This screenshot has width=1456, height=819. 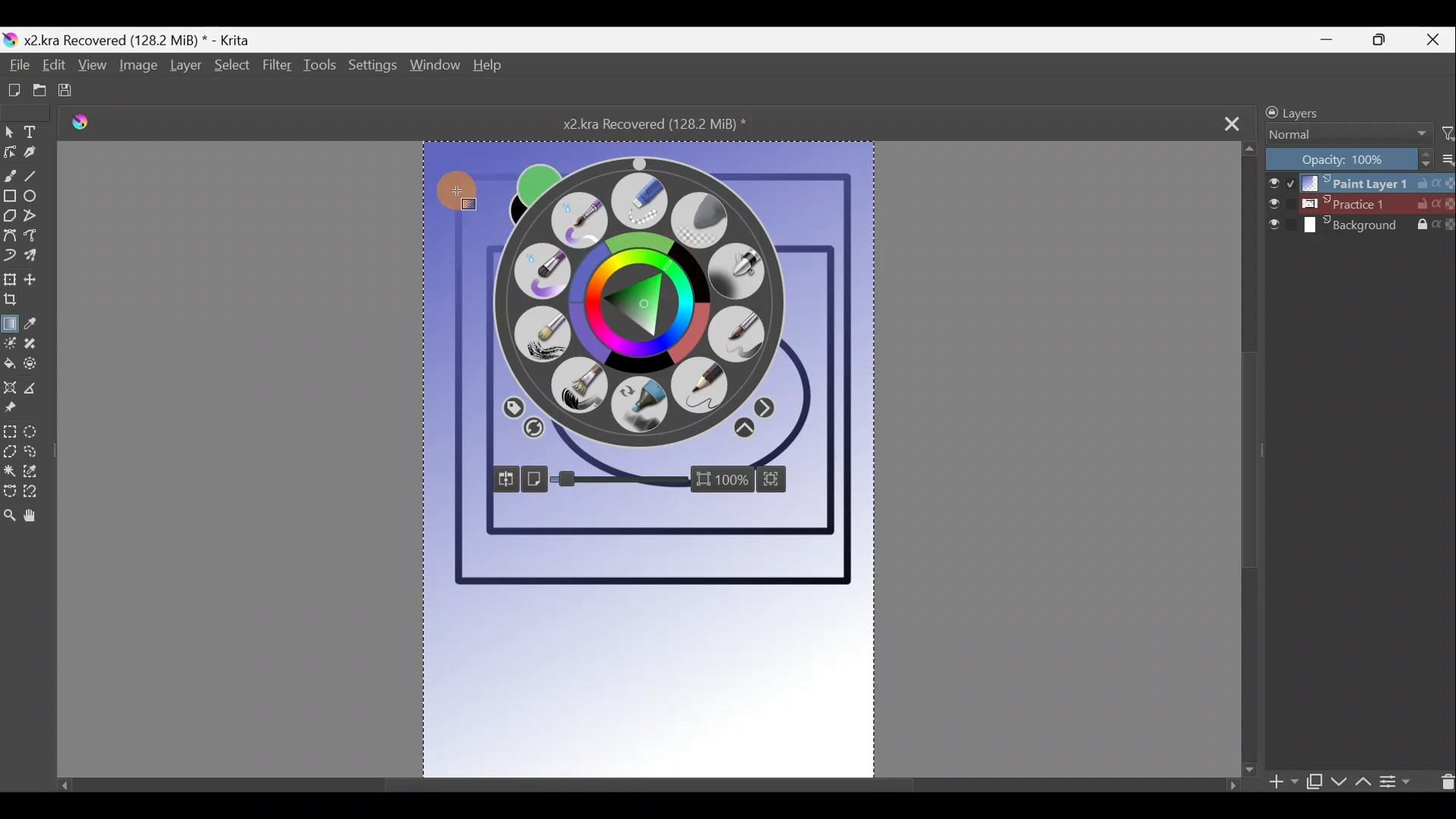 I want to click on Window, so click(x=435, y=68).